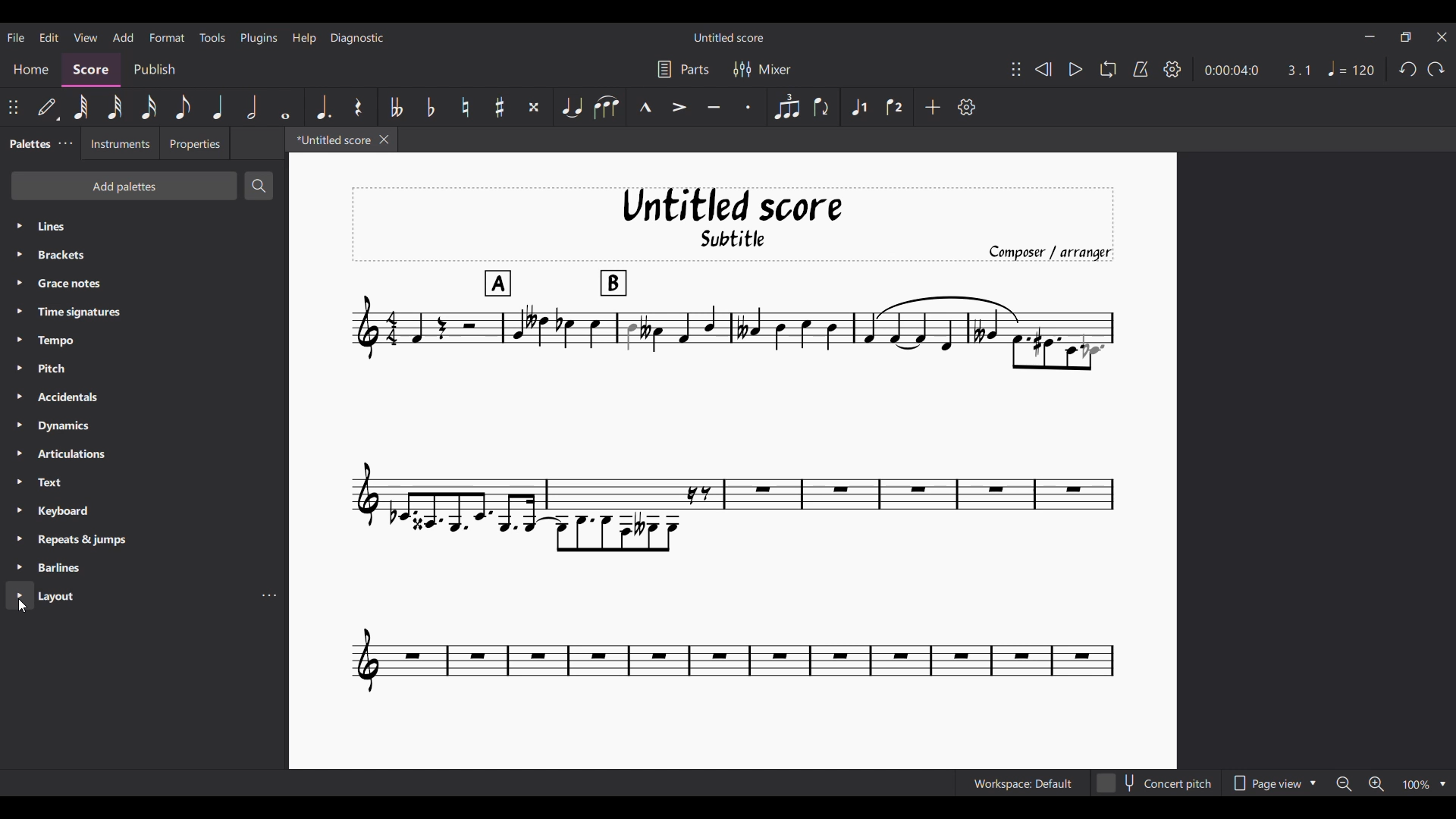 The height and width of the screenshot is (819, 1456). What do you see at coordinates (607, 107) in the screenshot?
I see `Slur` at bounding box center [607, 107].